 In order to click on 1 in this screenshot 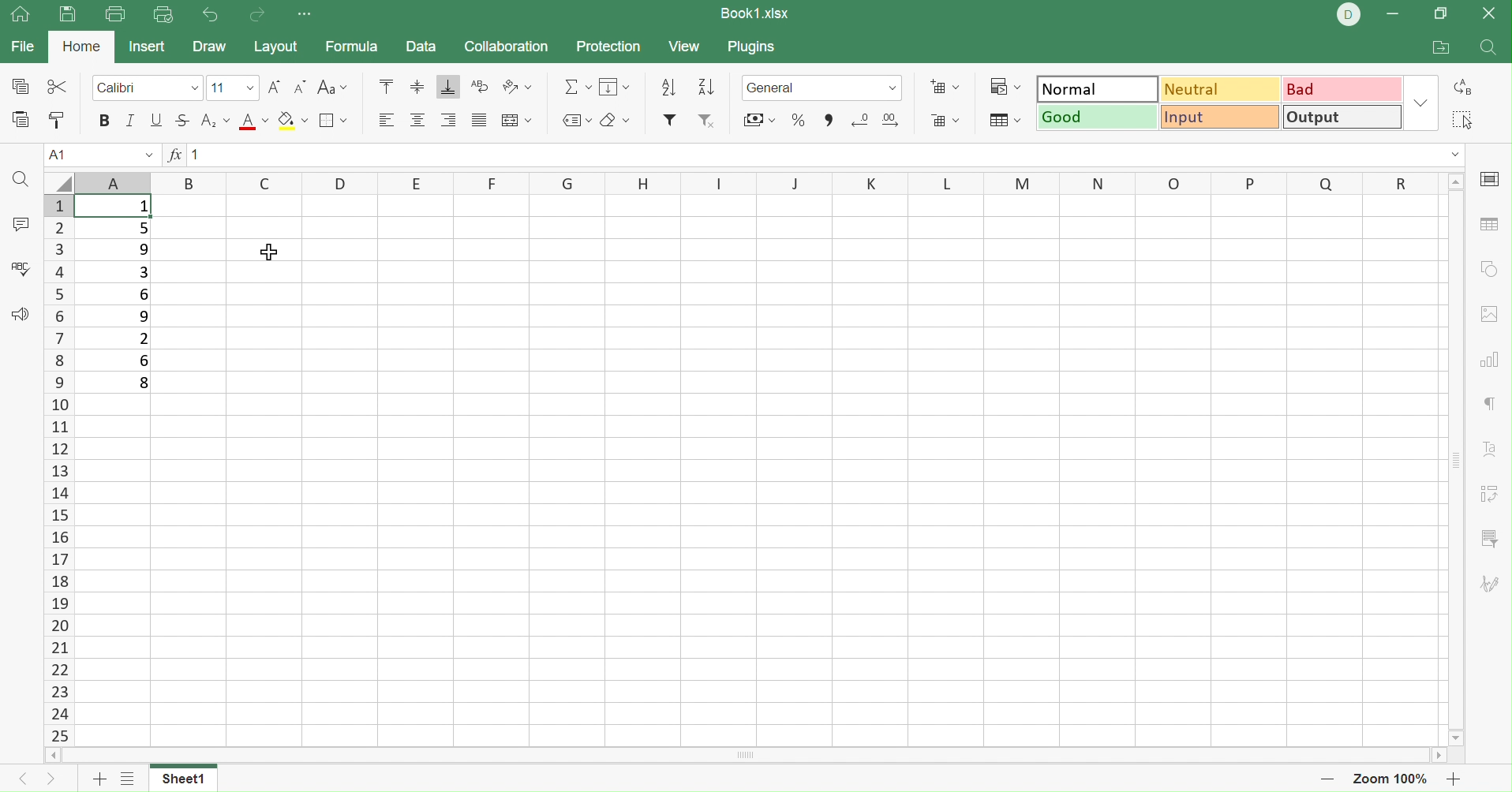, I will do `click(196, 156)`.